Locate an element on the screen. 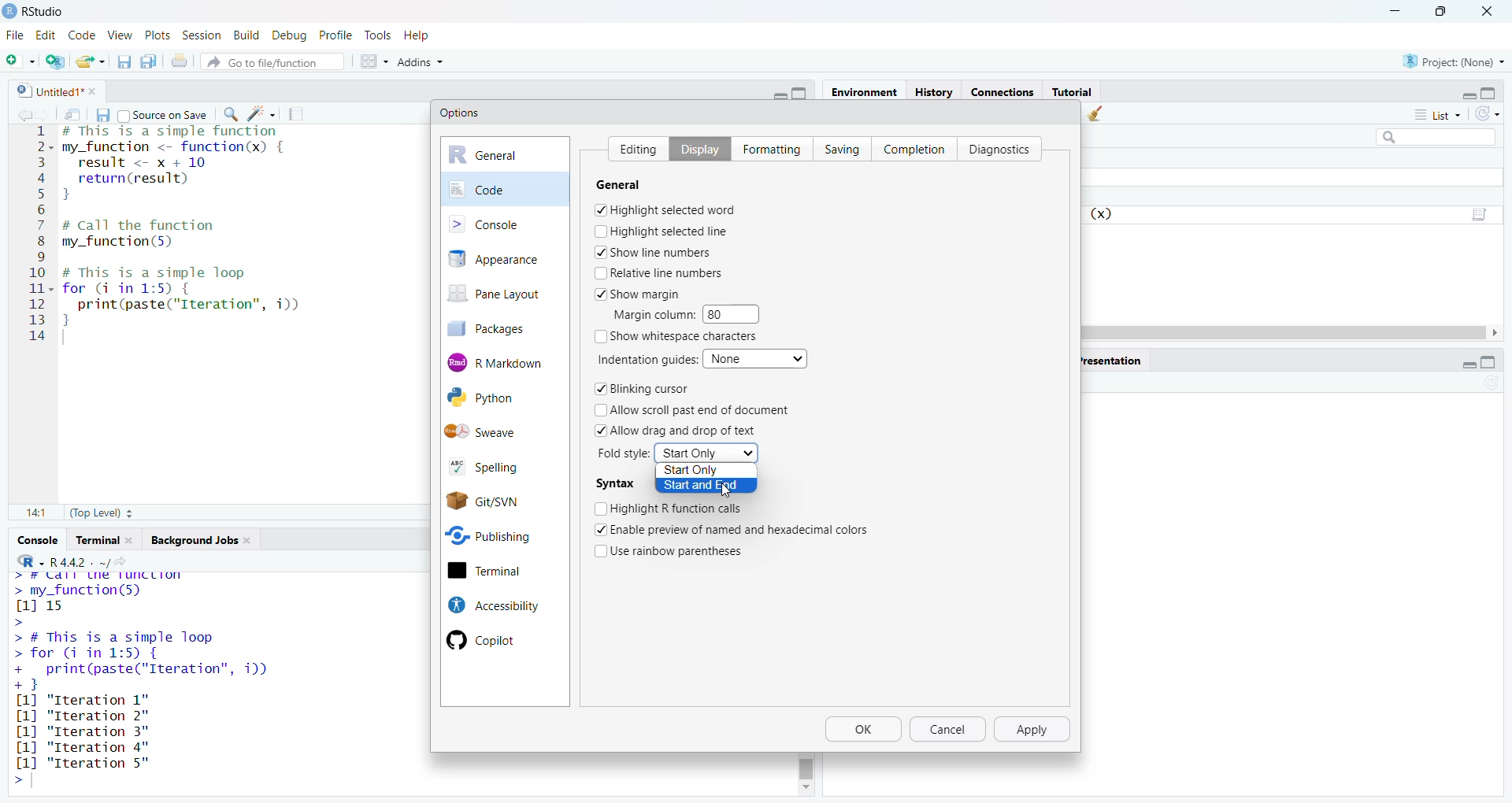 This screenshot has width=1512, height=803. print the current file is located at coordinates (181, 61).